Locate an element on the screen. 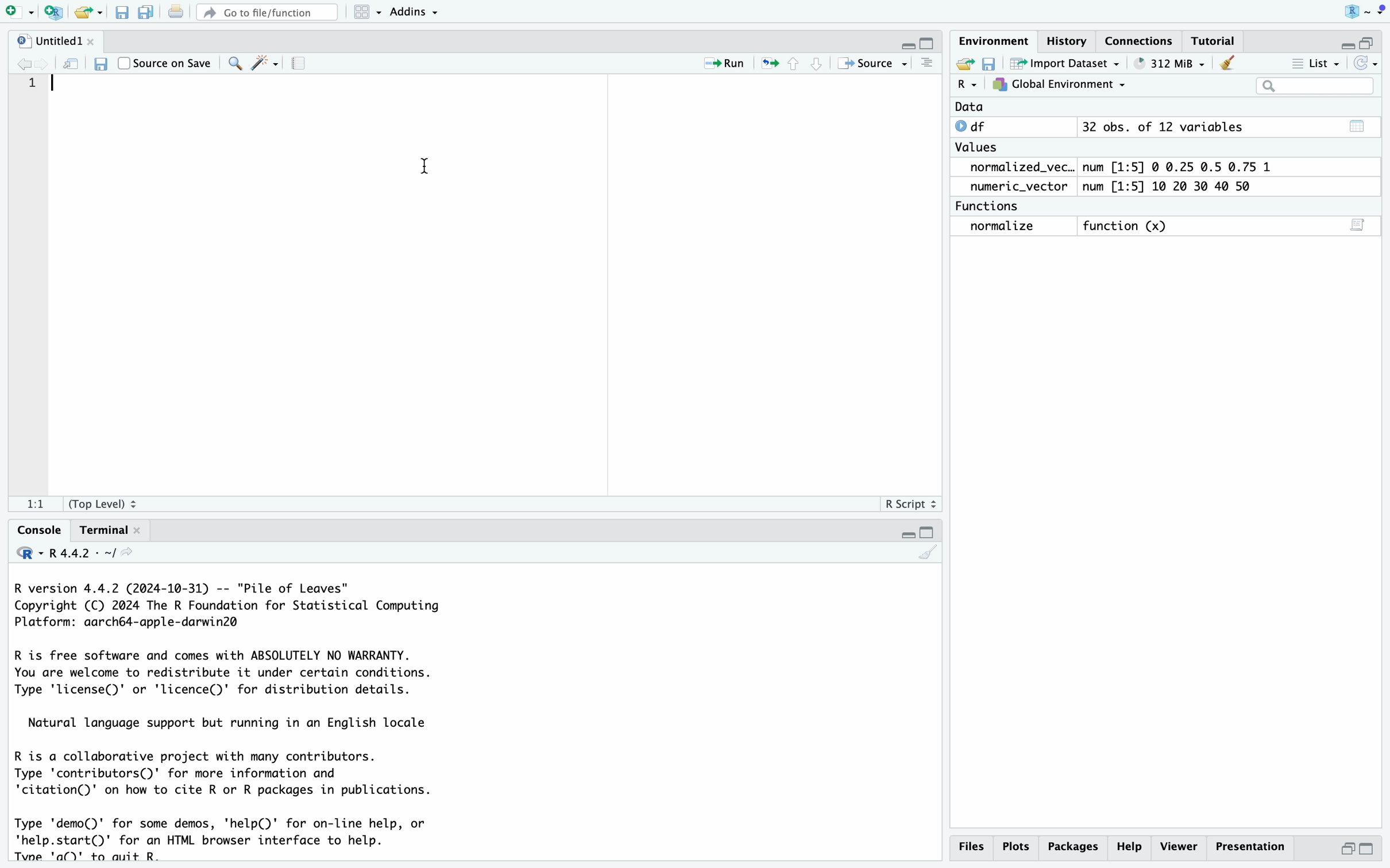 This screenshot has height=868, width=1390. © df 32 obs. of 12 variables is located at coordinates (1155, 126).